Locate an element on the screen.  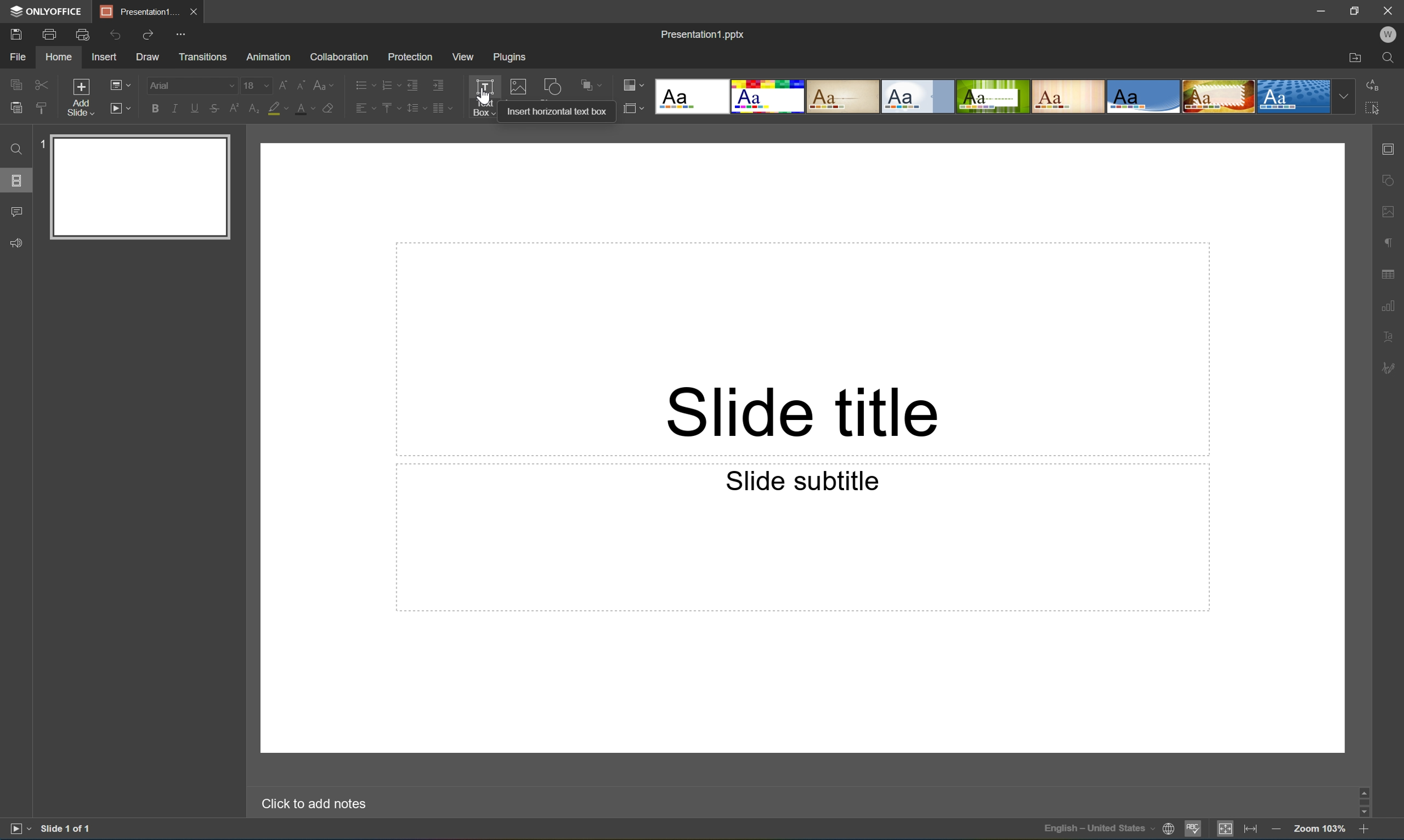
Add slide is located at coordinates (78, 98).